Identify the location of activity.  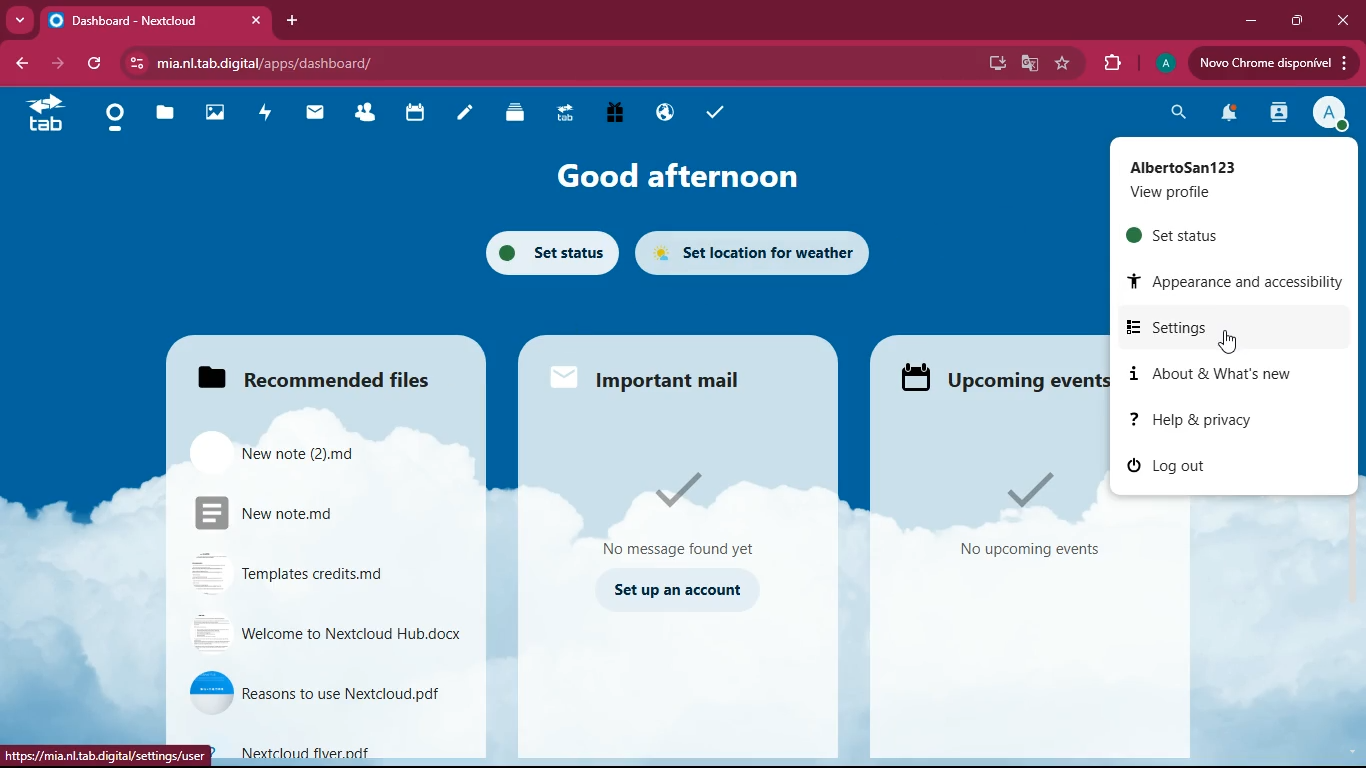
(1275, 112).